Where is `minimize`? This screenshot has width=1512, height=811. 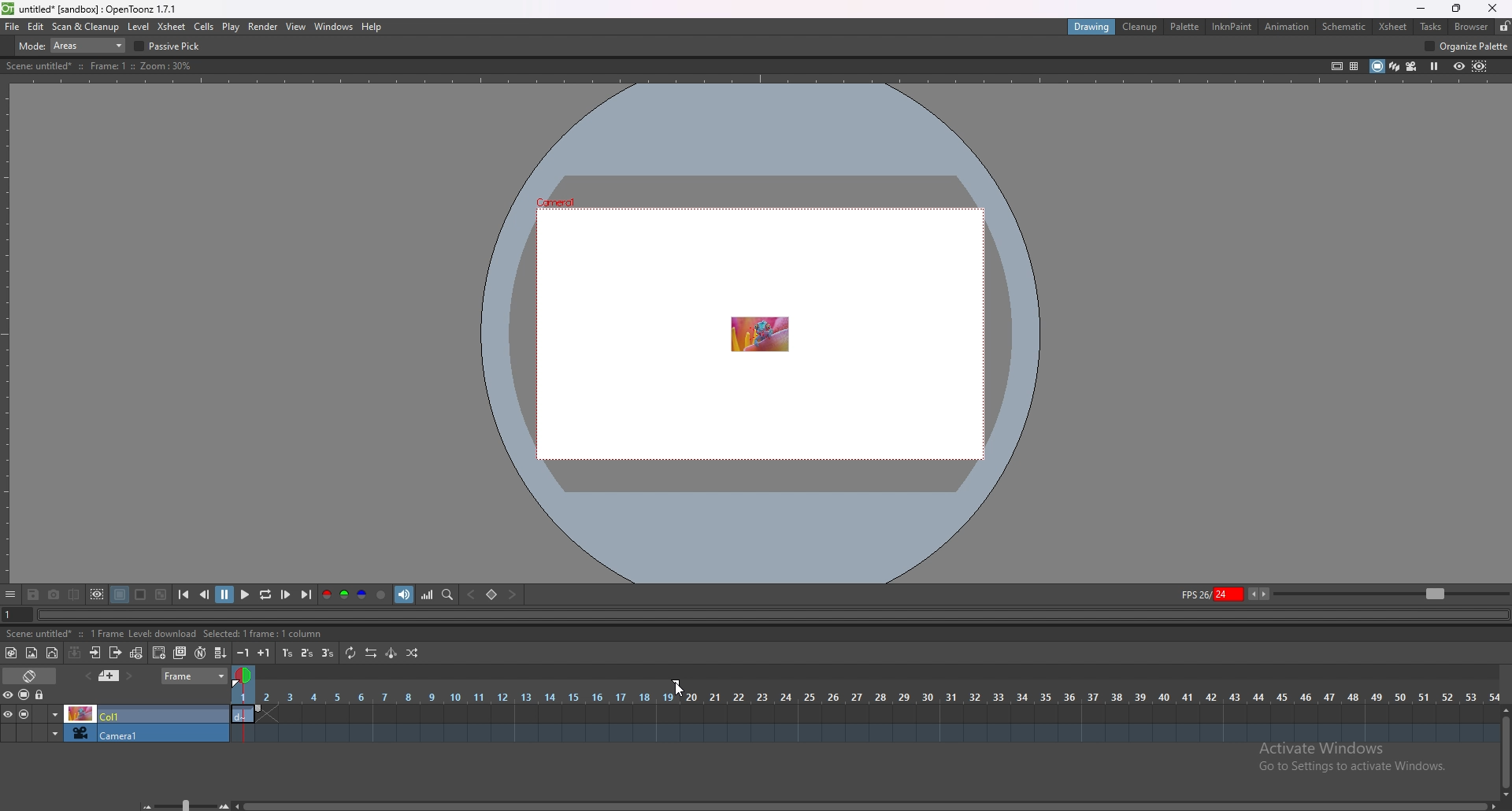 minimize is located at coordinates (1421, 9).